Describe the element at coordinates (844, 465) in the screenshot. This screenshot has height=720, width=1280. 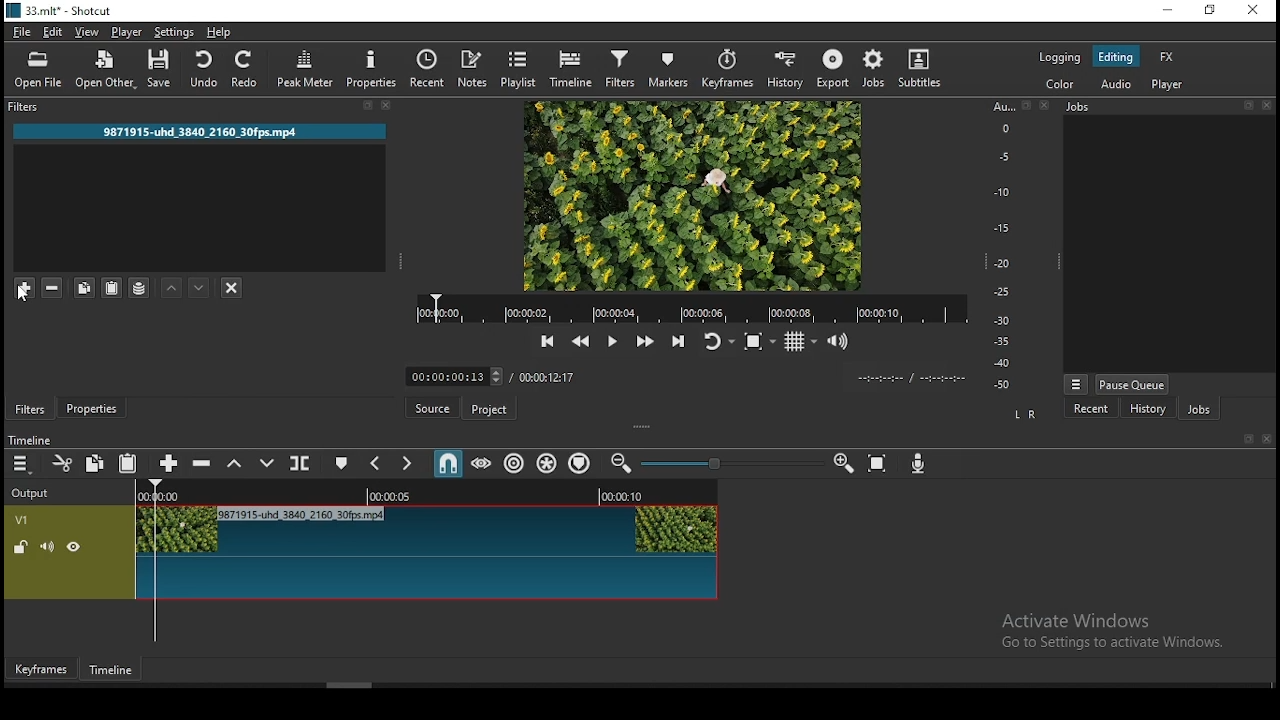
I see `zoom timeine in` at that location.